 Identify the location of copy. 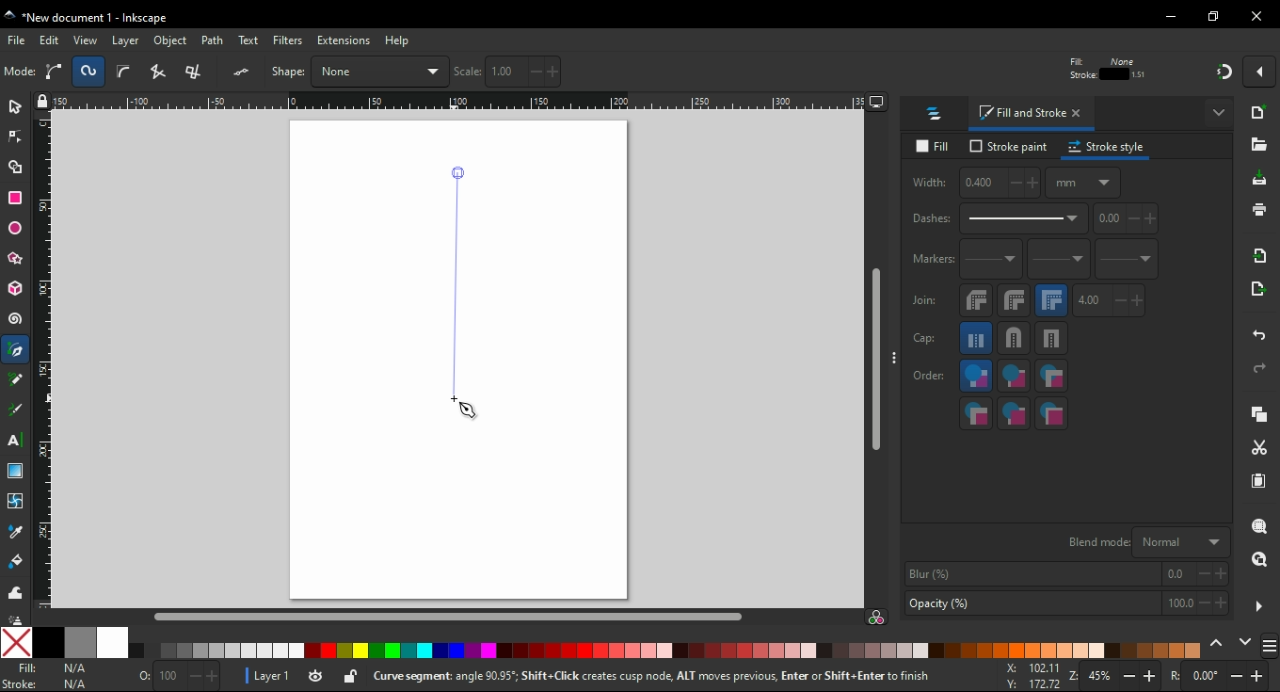
(1259, 415).